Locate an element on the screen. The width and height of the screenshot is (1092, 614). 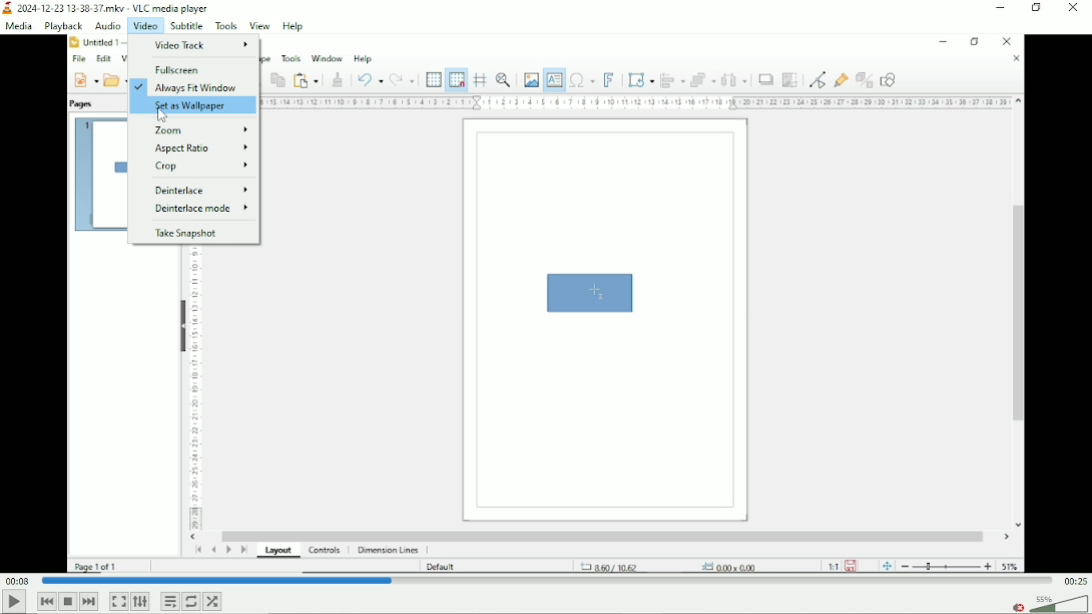
Toggle video in fullscreen is located at coordinates (118, 602).